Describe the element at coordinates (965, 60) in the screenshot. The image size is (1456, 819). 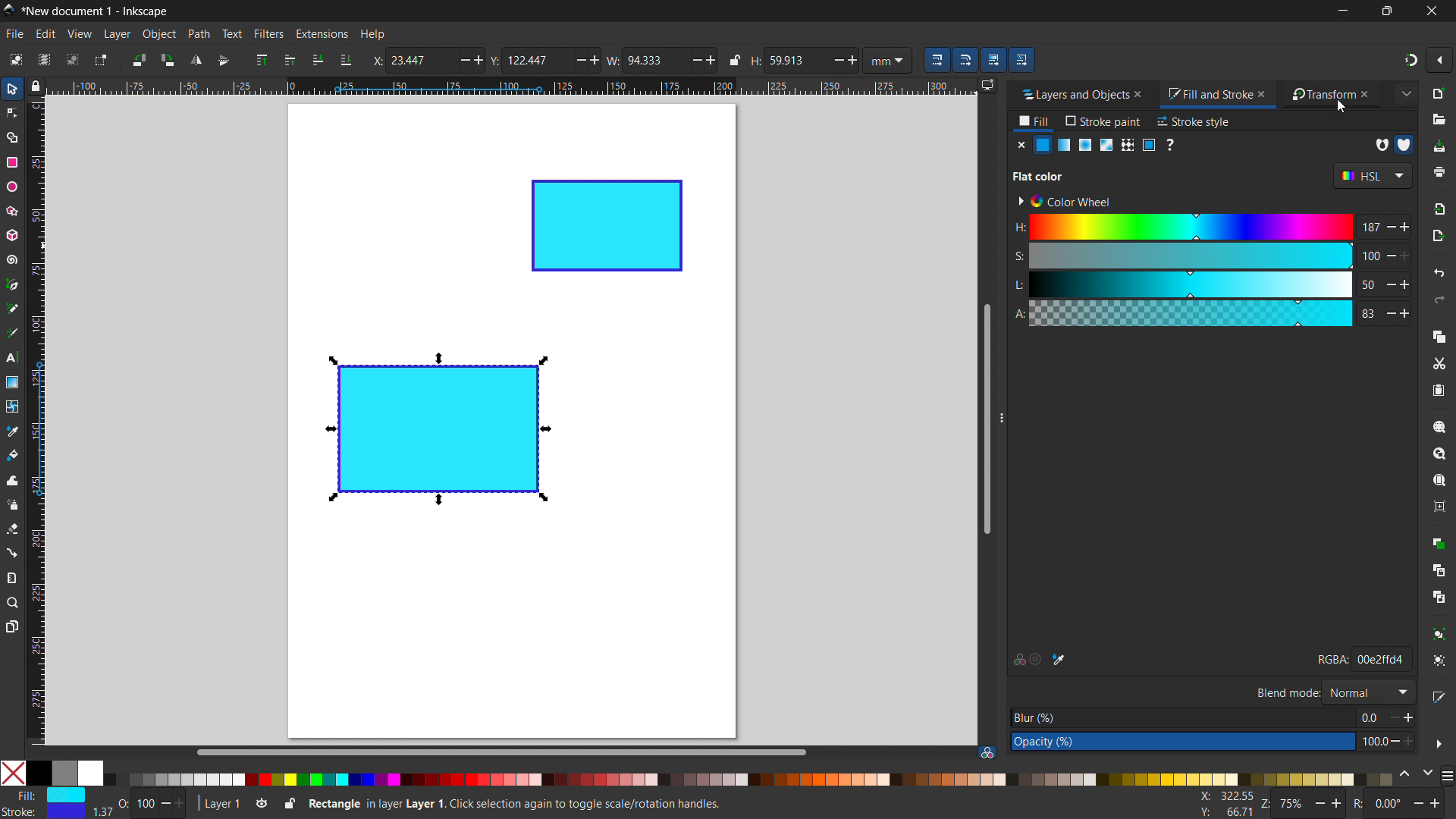
I see `when scaling rectangle, scale the radii of the rounded corners` at that location.